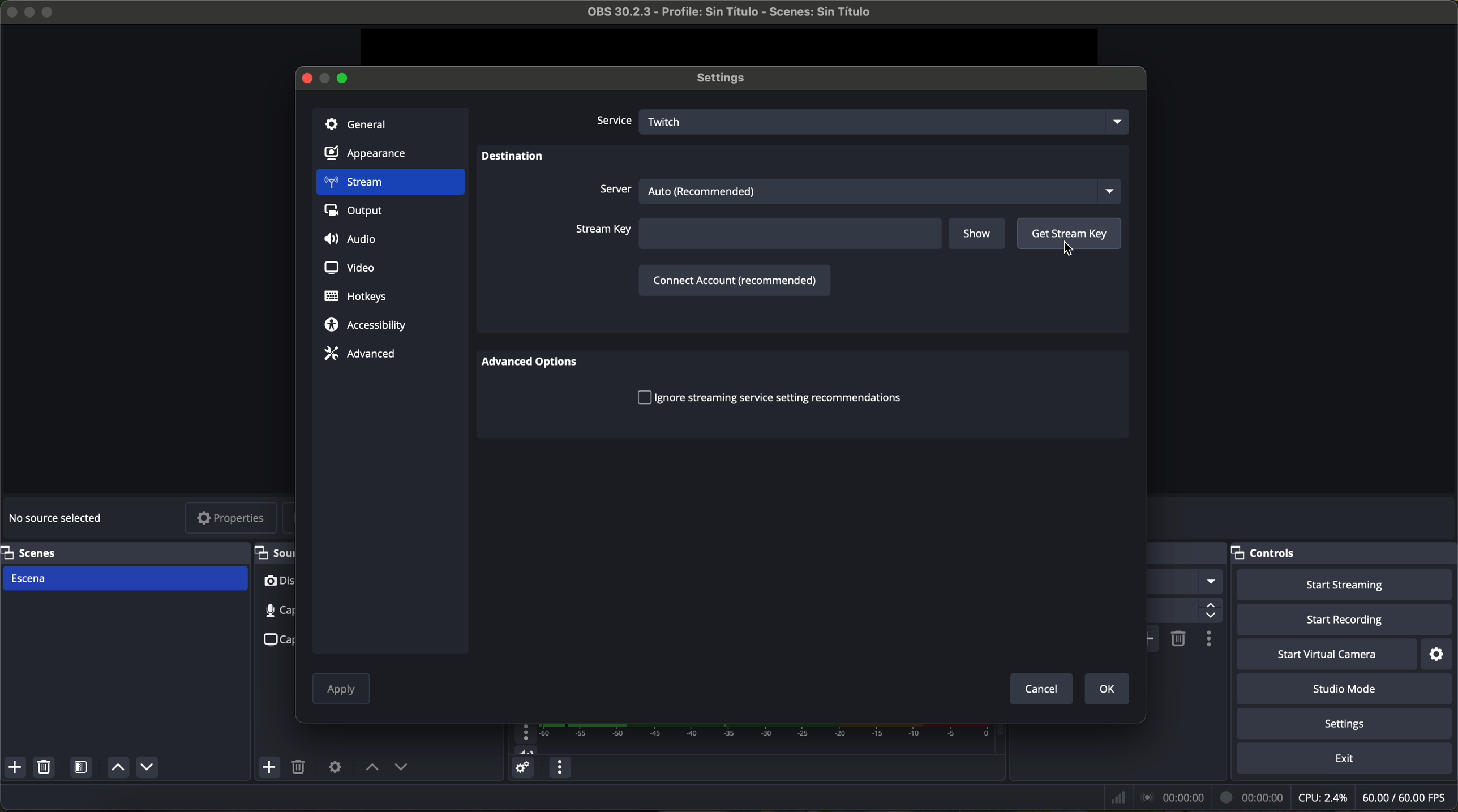 Image resolution: width=1458 pixels, height=812 pixels. I want to click on 300 ms, so click(1183, 611).